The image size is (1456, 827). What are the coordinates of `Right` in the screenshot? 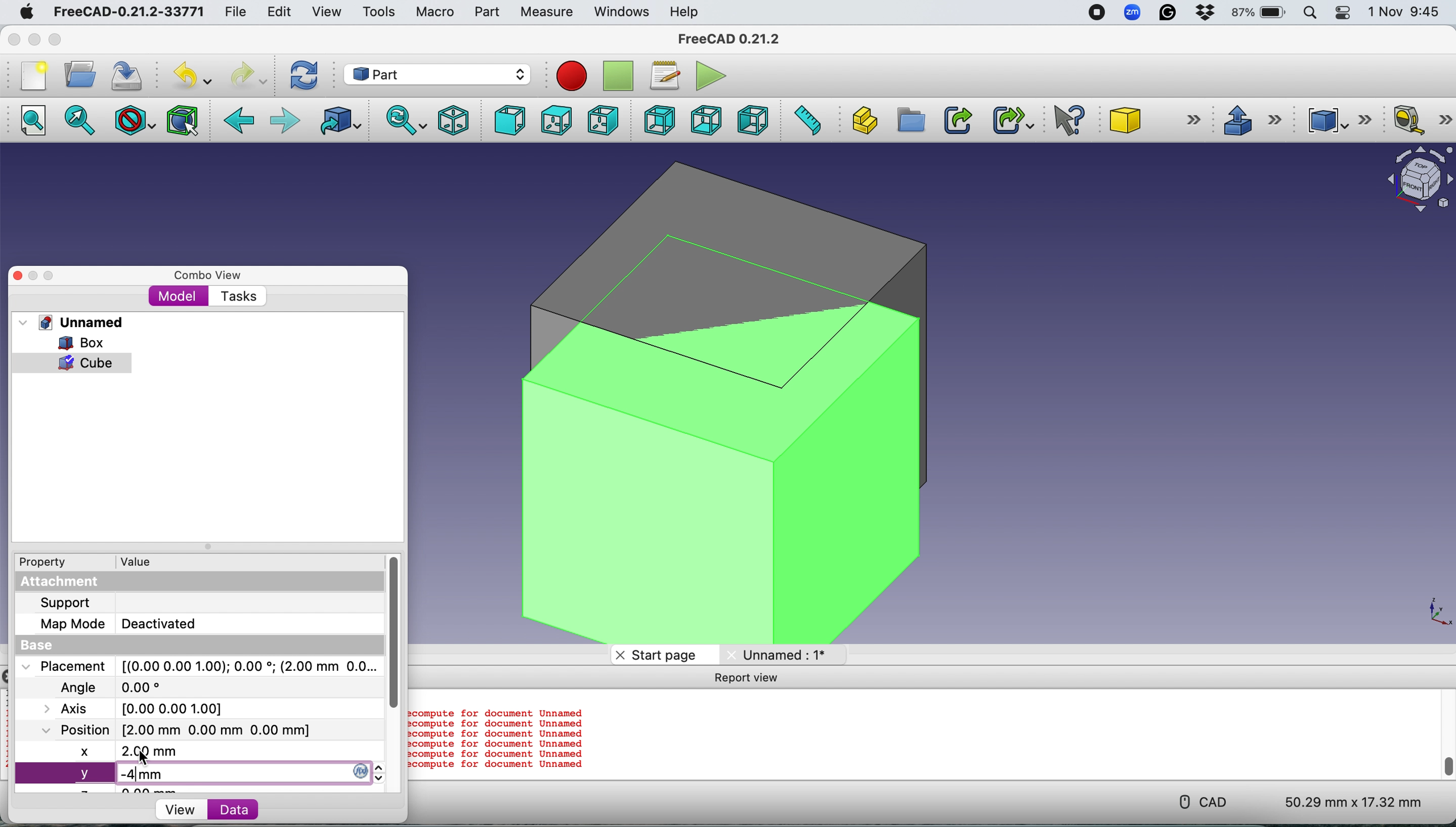 It's located at (603, 122).